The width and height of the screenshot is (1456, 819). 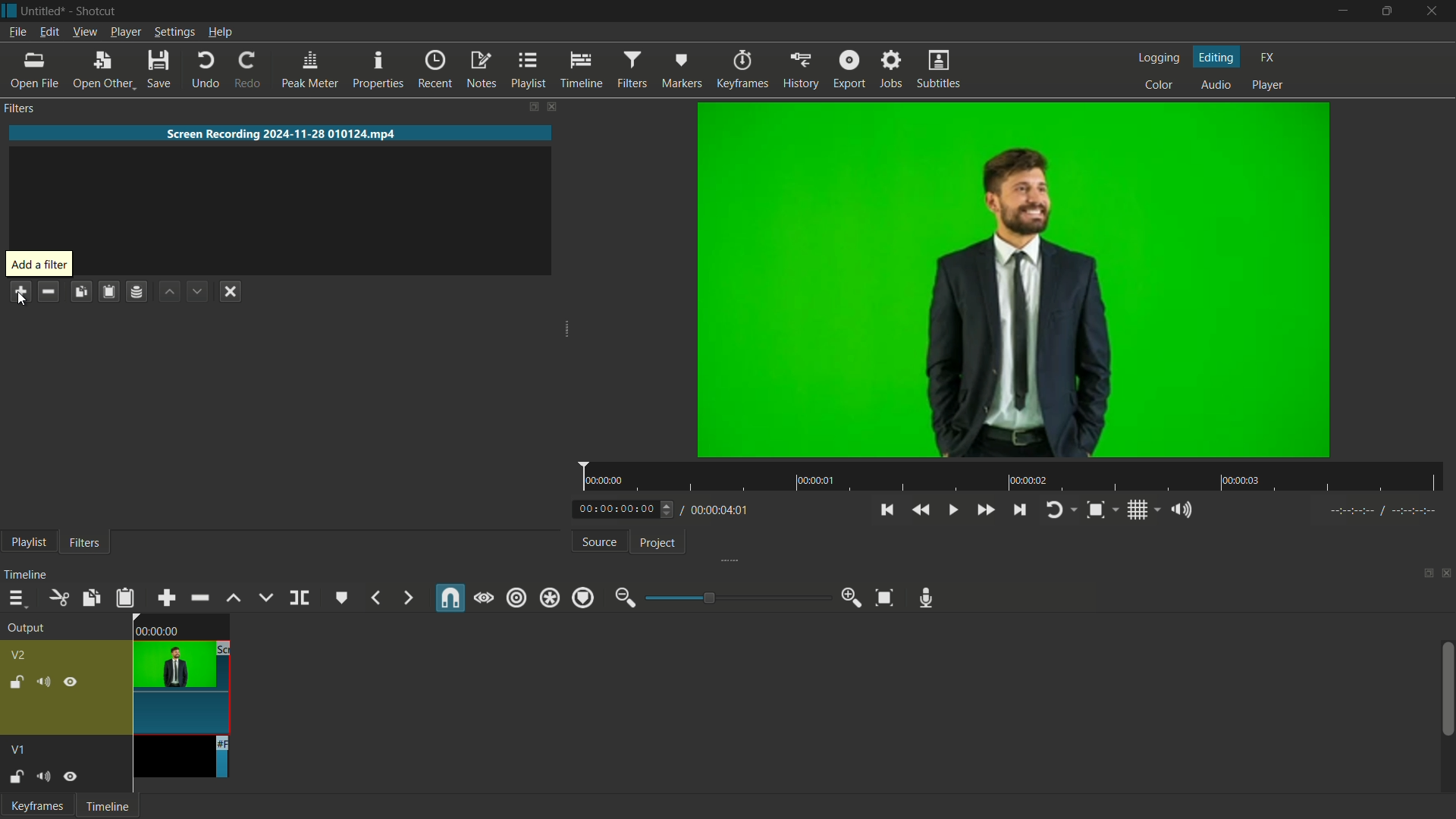 I want to click on mute, so click(x=42, y=682).